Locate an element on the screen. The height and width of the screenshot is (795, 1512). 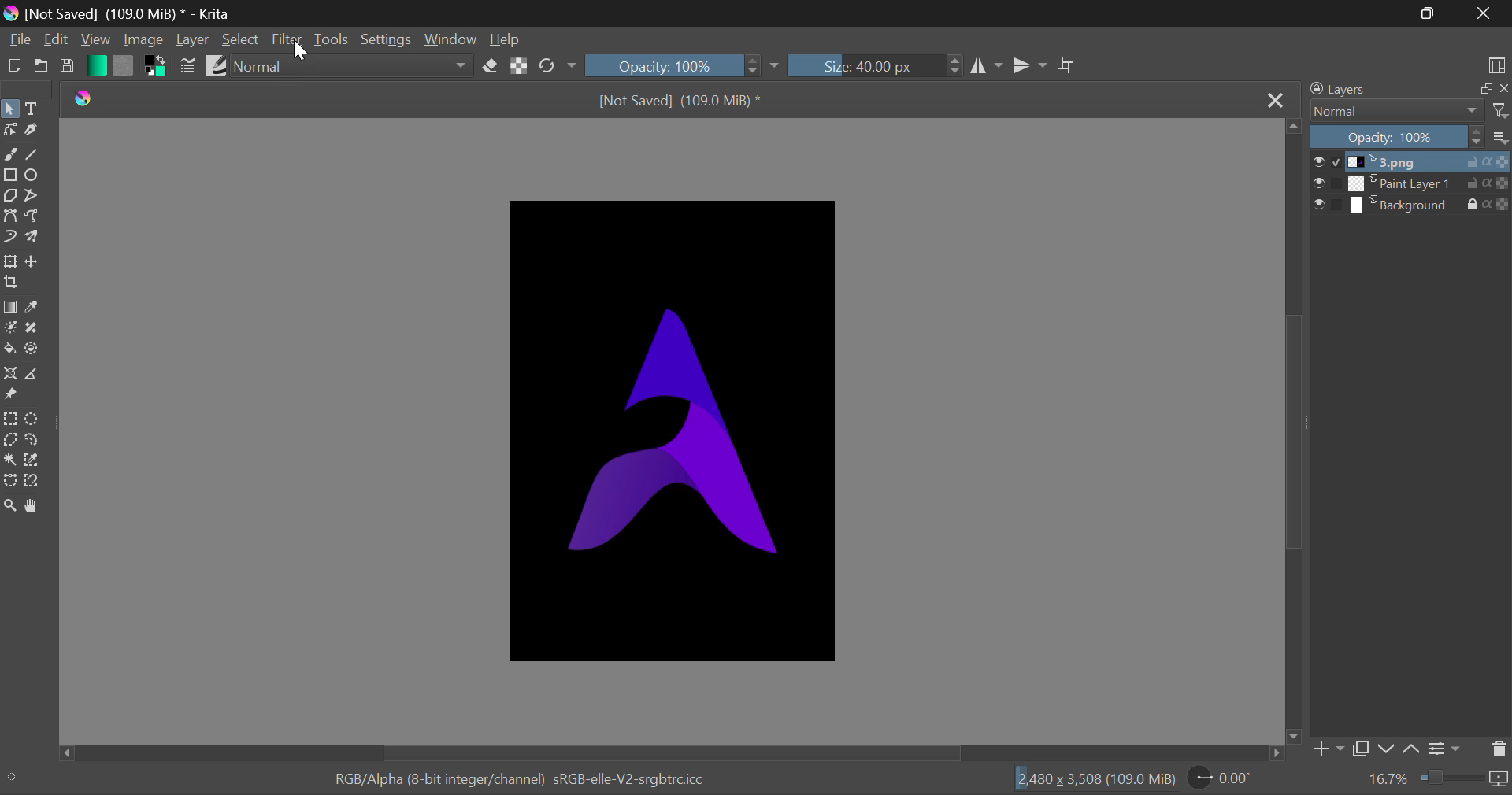
Background is located at coordinates (1411, 205).